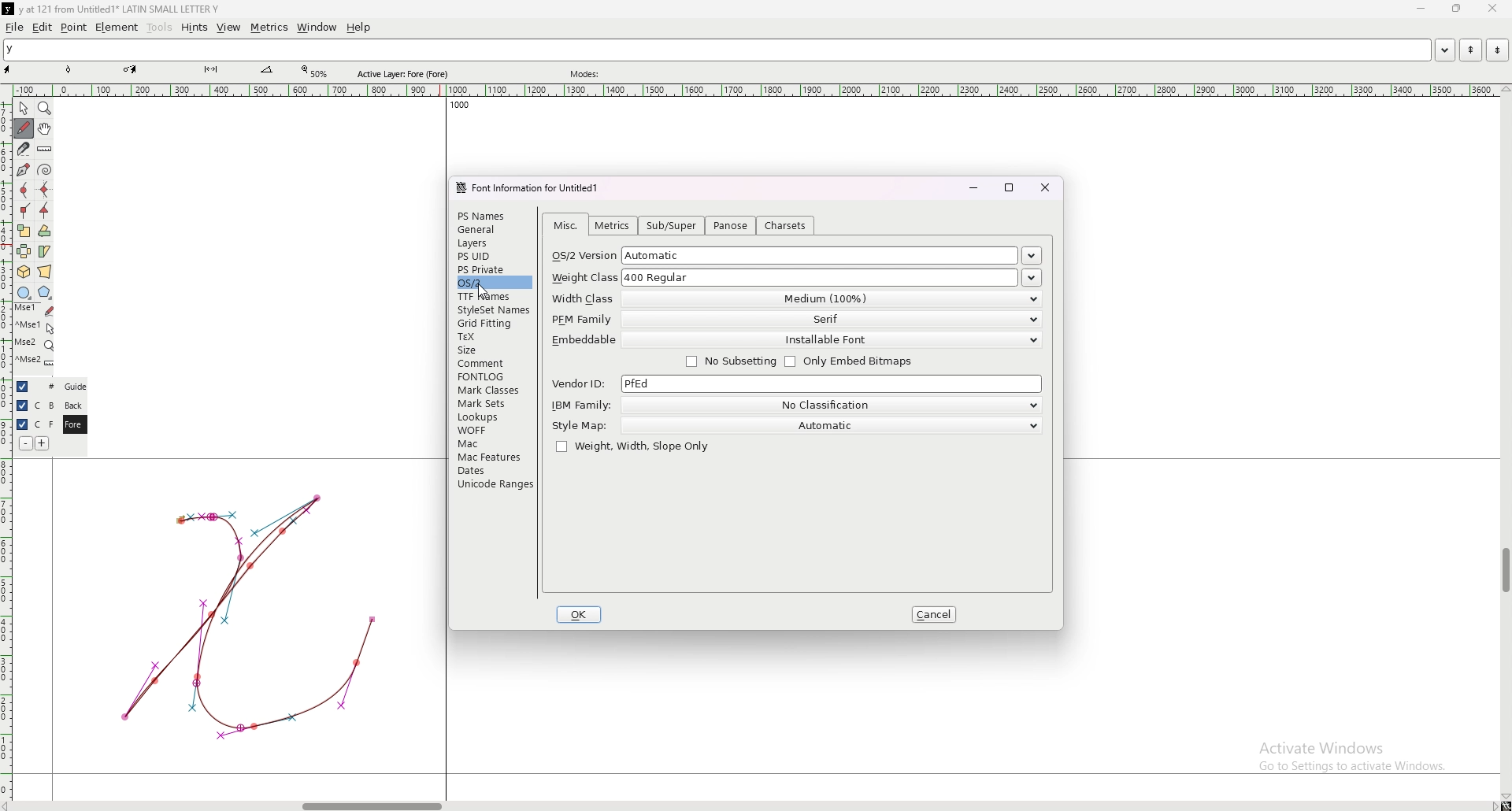  What do you see at coordinates (73, 425) in the screenshot?
I see `fore` at bounding box center [73, 425].